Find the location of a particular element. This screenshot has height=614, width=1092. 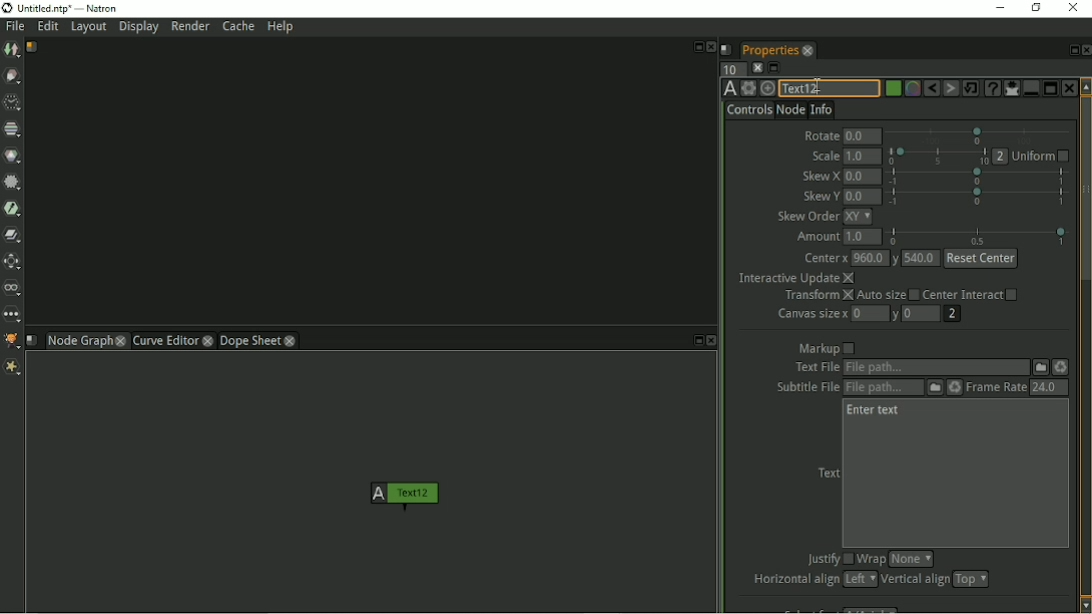

Skew X is located at coordinates (820, 177).